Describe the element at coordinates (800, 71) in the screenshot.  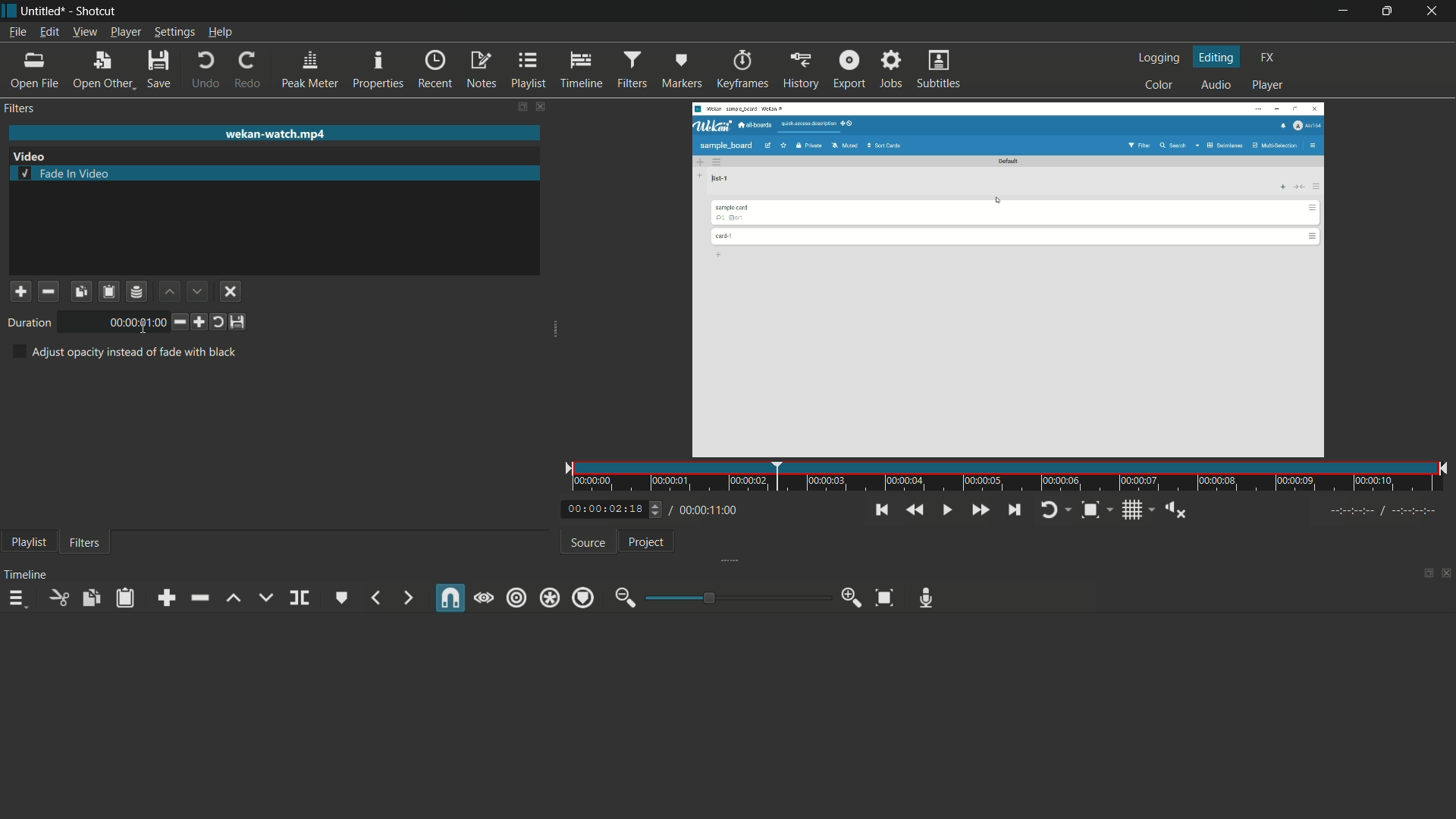
I see `history` at that location.